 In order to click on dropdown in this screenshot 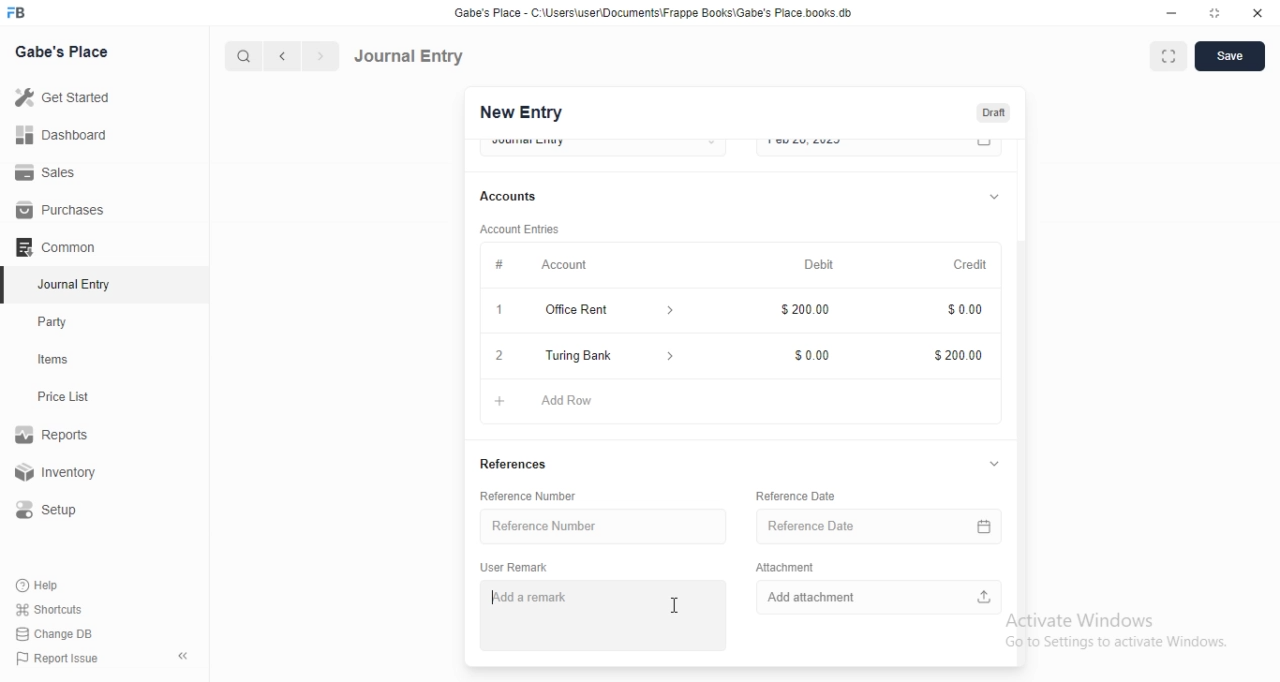, I will do `click(992, 195)`.